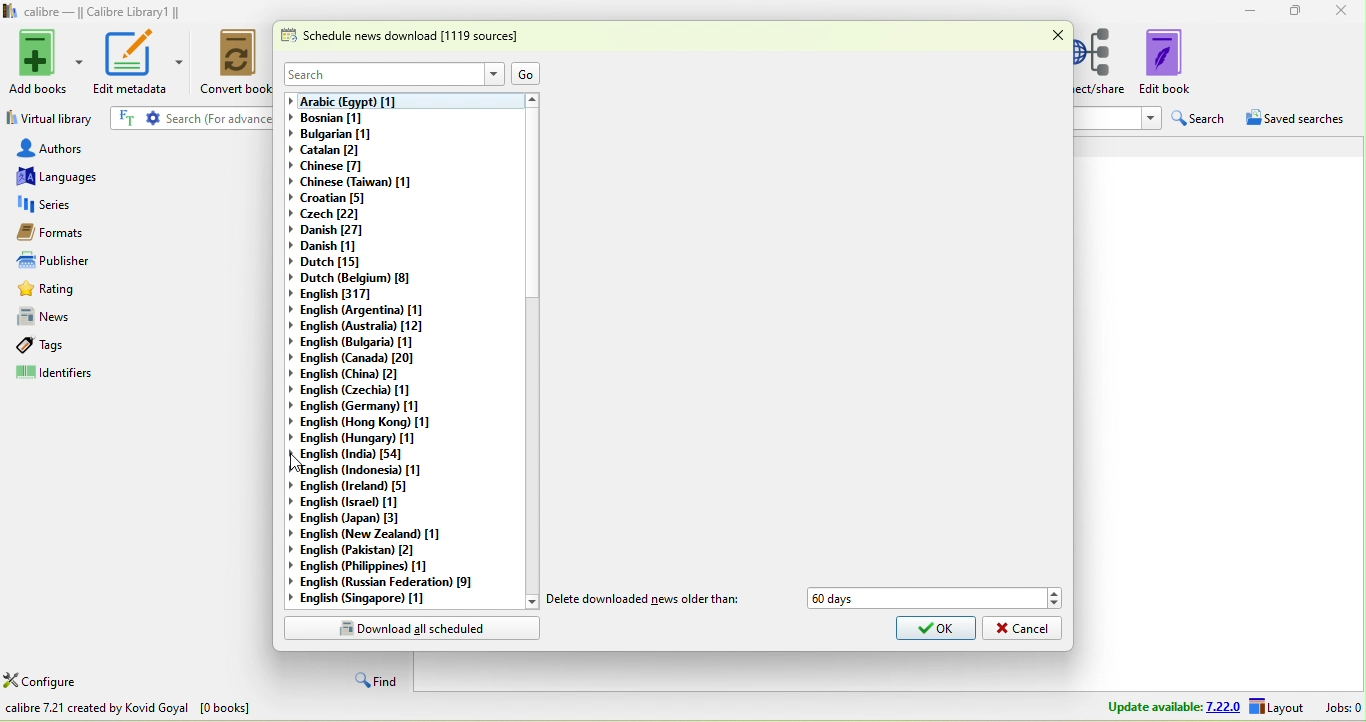 The width and height of the screenshot is (1366, 722). I want to click on delete downloaded news older than, so click(645, 600).